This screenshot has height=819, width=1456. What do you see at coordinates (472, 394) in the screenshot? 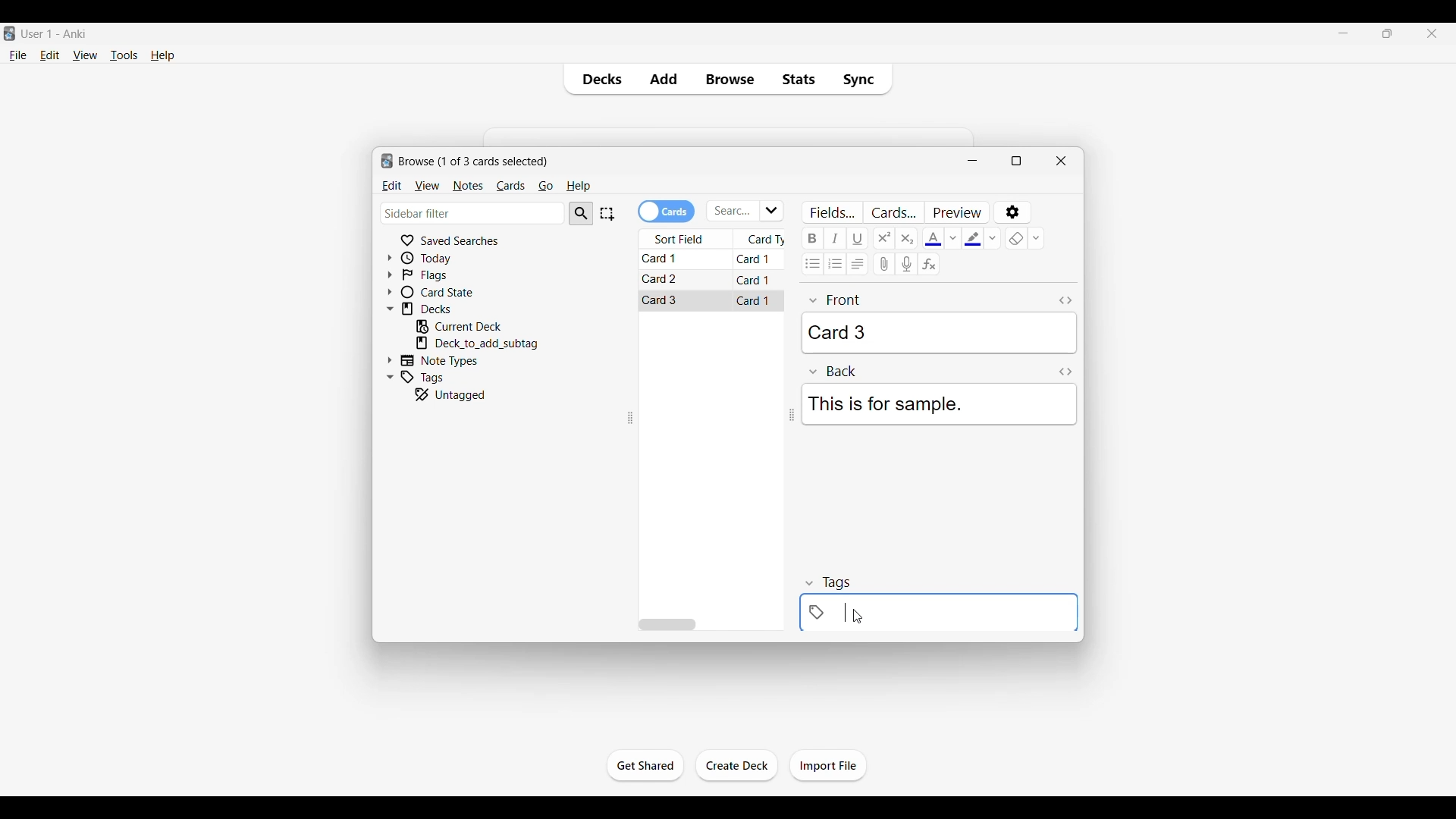
I see `Click to go to untagged` at bounding box center [472, 394].